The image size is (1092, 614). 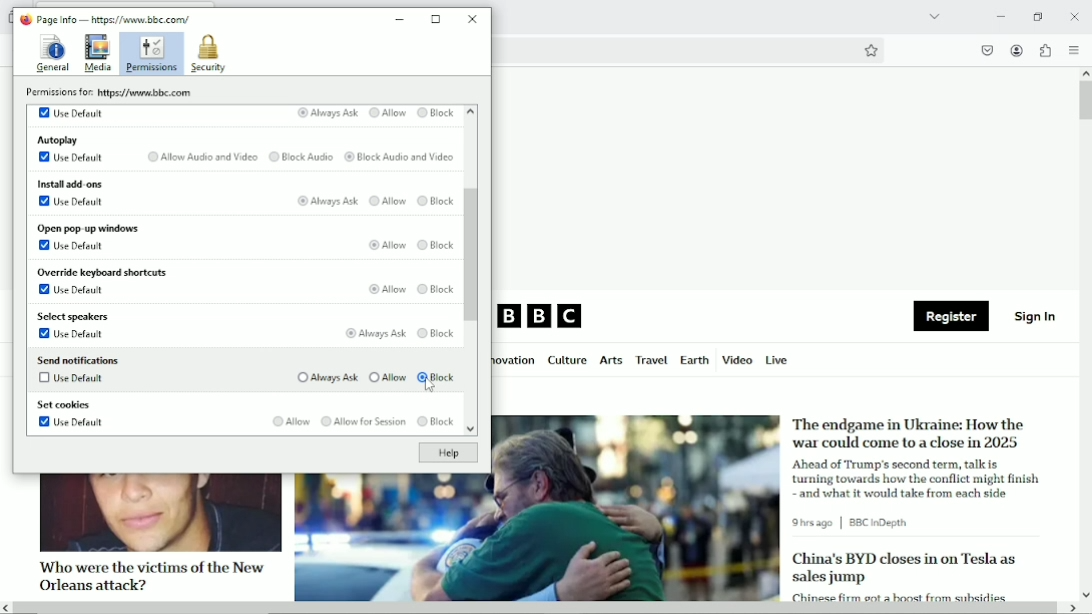 I want to click on open application menu, so click(x=1073, y=50).